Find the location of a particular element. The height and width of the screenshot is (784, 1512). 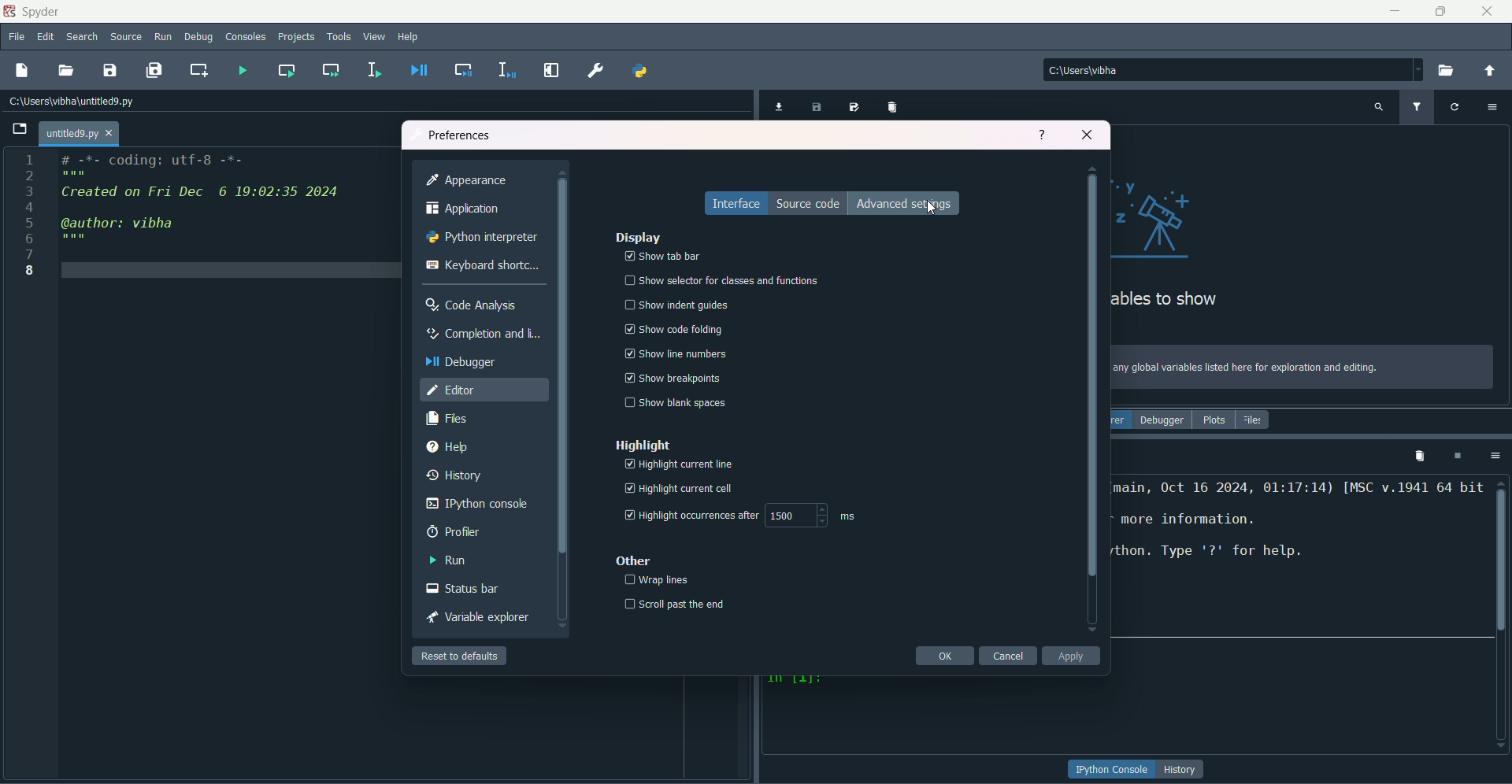

appearance is located at coordinates (469, 179).